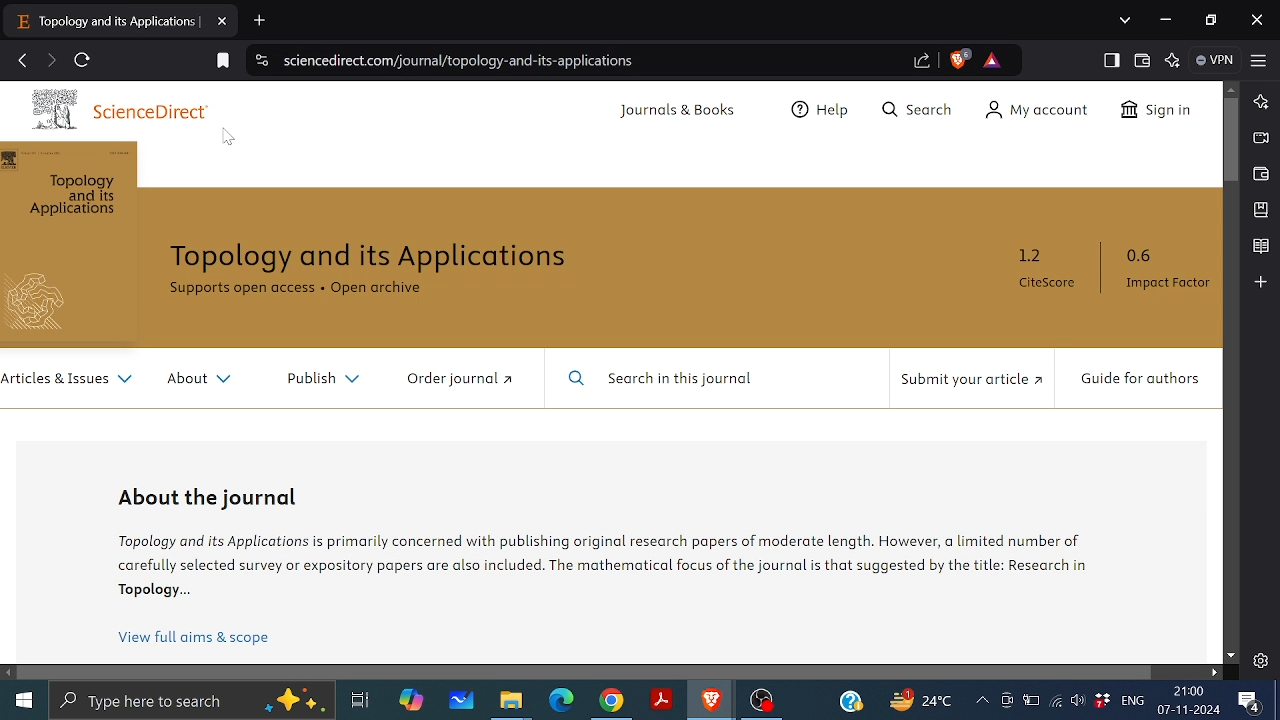 The width and height of the screenshot is (1280, 720). I want to click on Dropbox, so click(1102, 701).